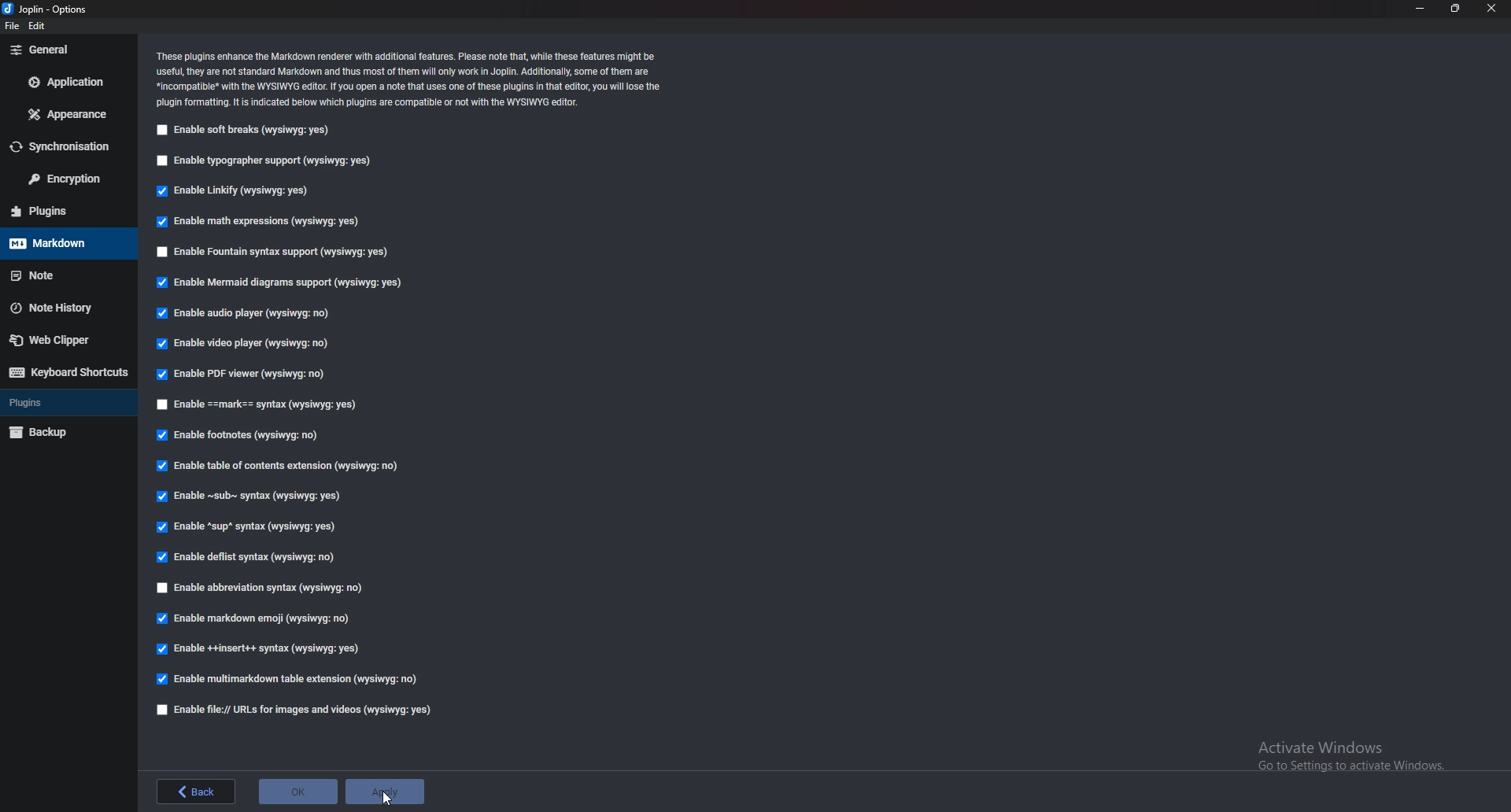 This screenshot has height=812, width=1511. Describe the element at coordinates (249, 312) in the screenshot. I see `enable audio player` at that location.